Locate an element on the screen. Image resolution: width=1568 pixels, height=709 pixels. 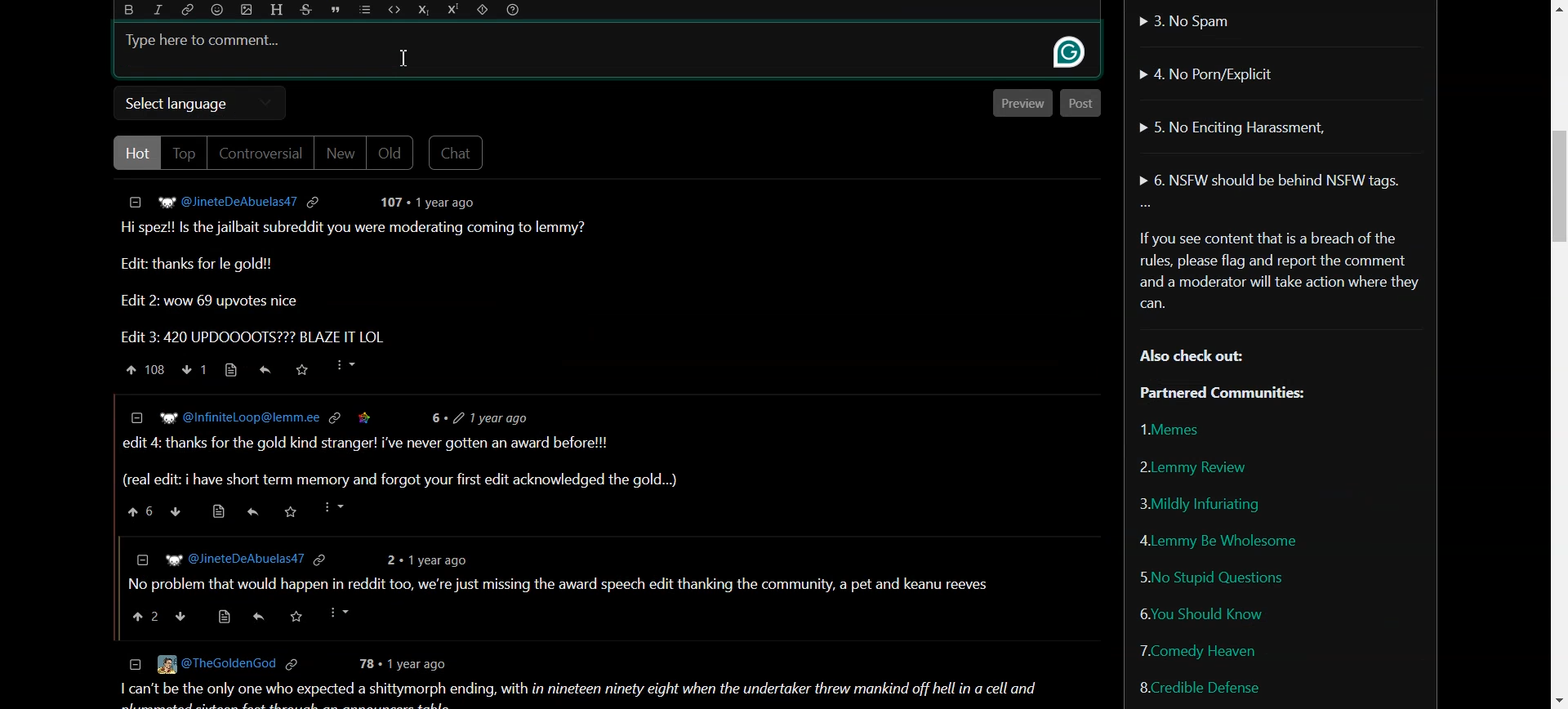
Collapse is located at coordinates (135, 202).